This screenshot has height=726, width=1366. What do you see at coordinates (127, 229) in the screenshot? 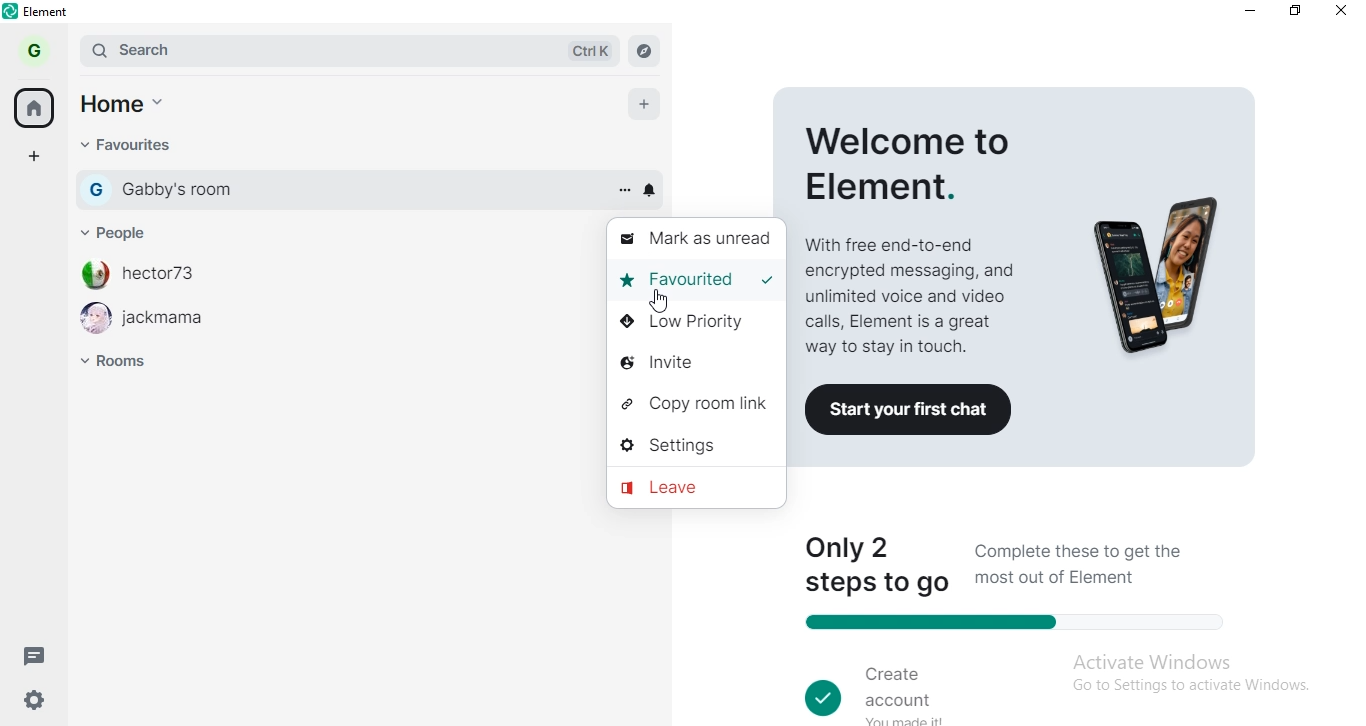
I see `people` at bounding box center [127, 229].